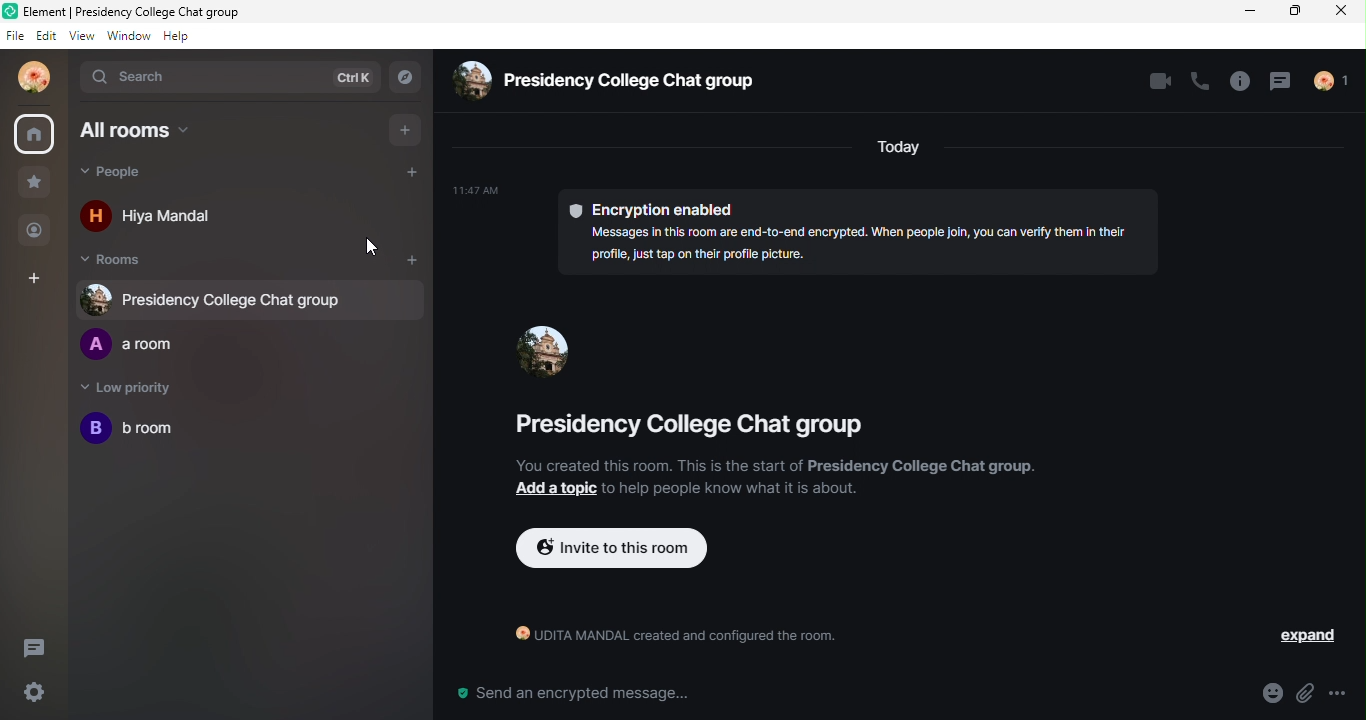 The height and width of the screenshot is (720, 1366). What do you see at coordinates (679, 431) in the screenshot?
I see `presidency college chat group` at bounding box center [679, 431].